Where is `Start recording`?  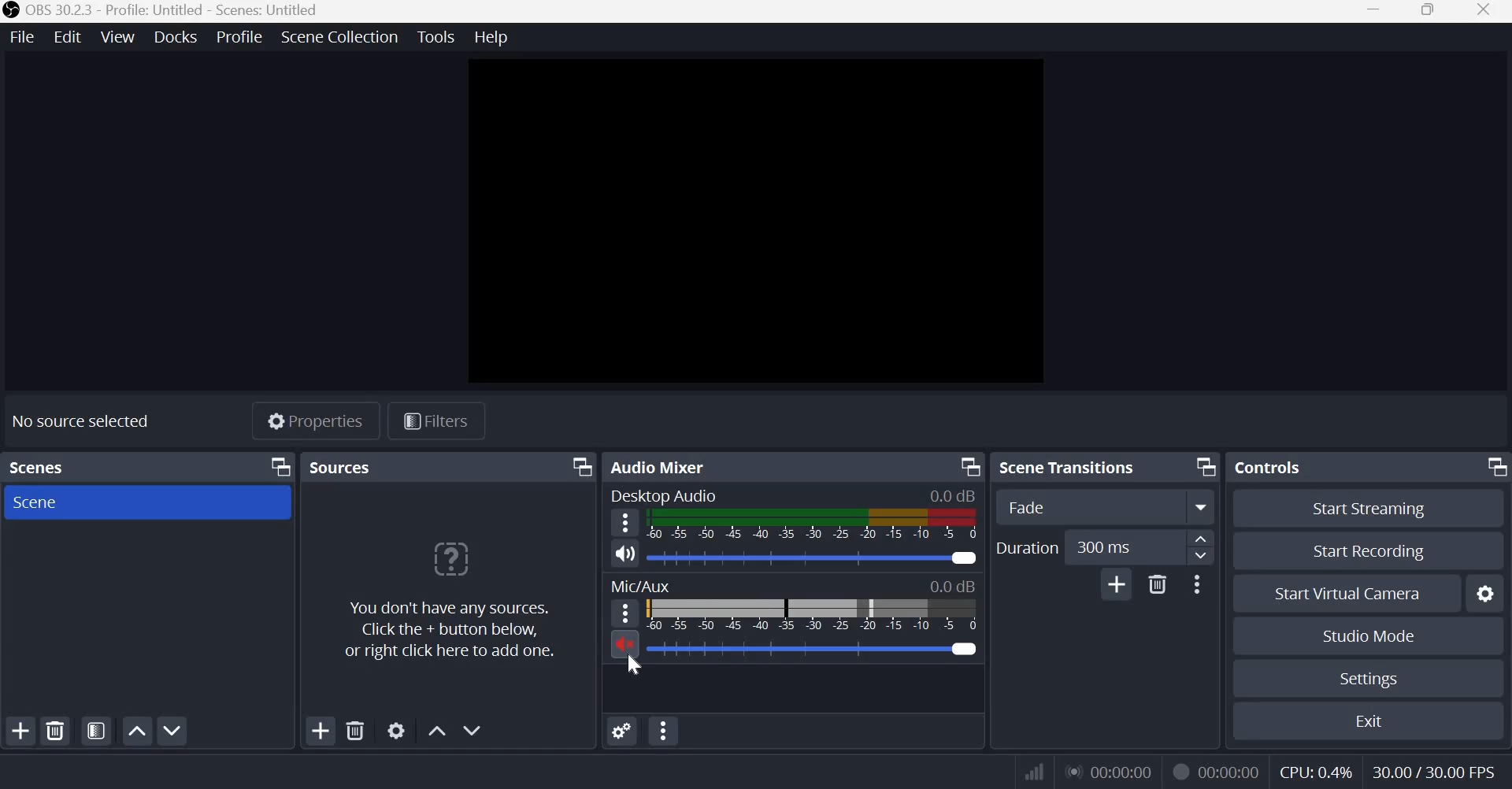 Start recording is located at coordinates (1366, 552).